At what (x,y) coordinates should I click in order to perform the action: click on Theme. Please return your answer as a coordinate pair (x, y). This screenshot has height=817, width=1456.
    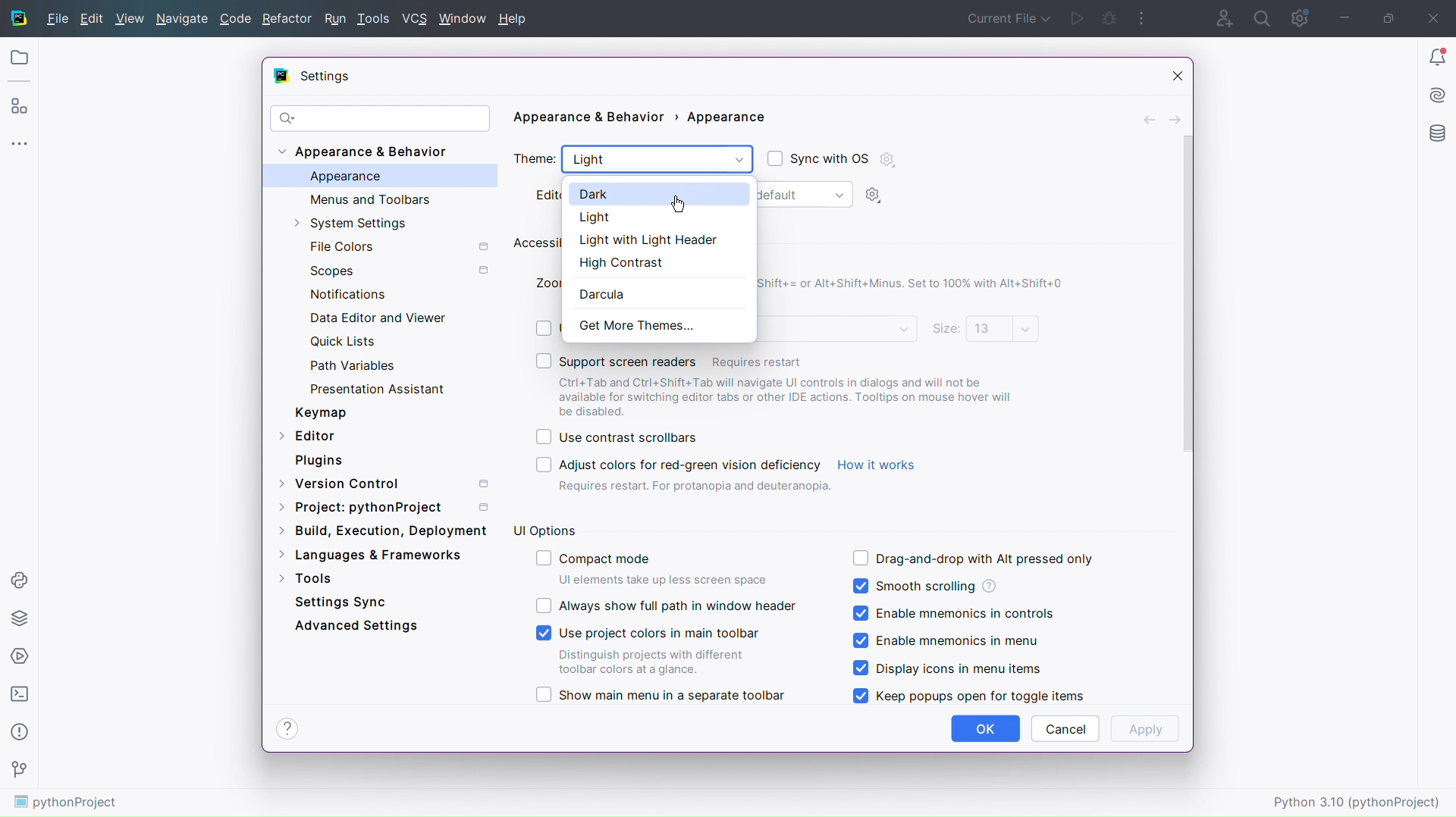
    Looking at the image, I should click on (535, 160).